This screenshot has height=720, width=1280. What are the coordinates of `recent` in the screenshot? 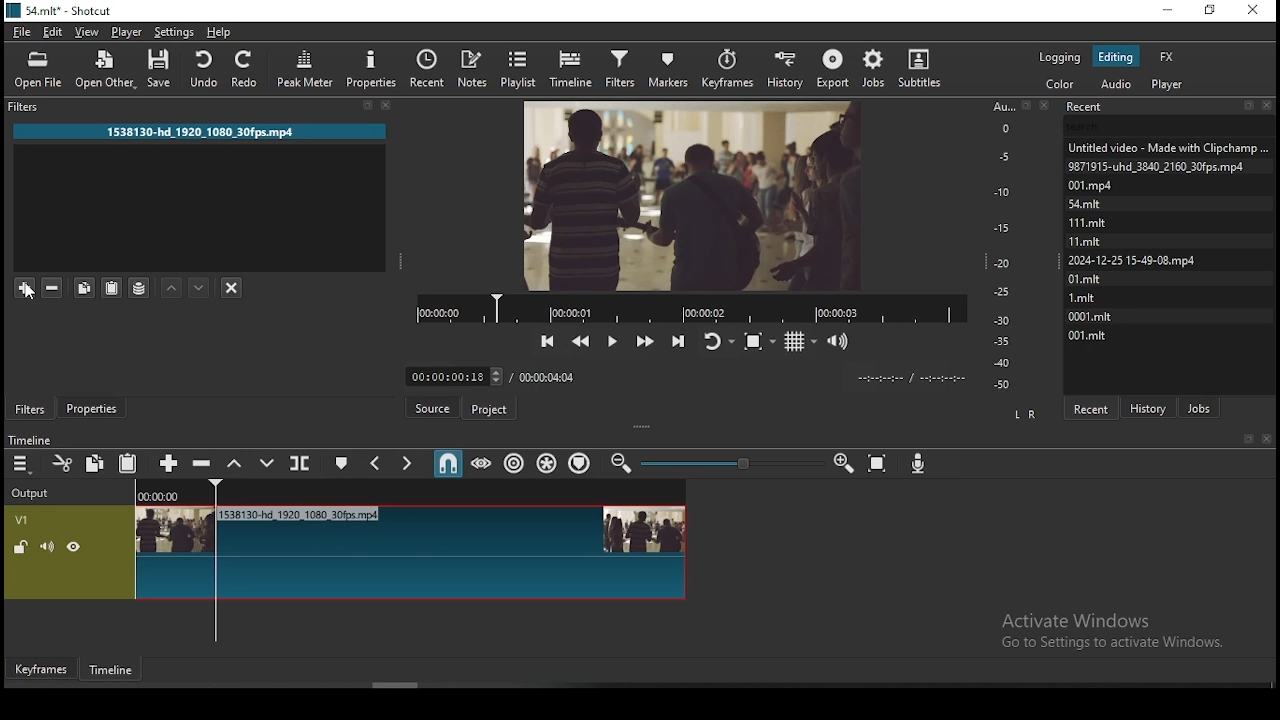 It's located at (1092, 409).